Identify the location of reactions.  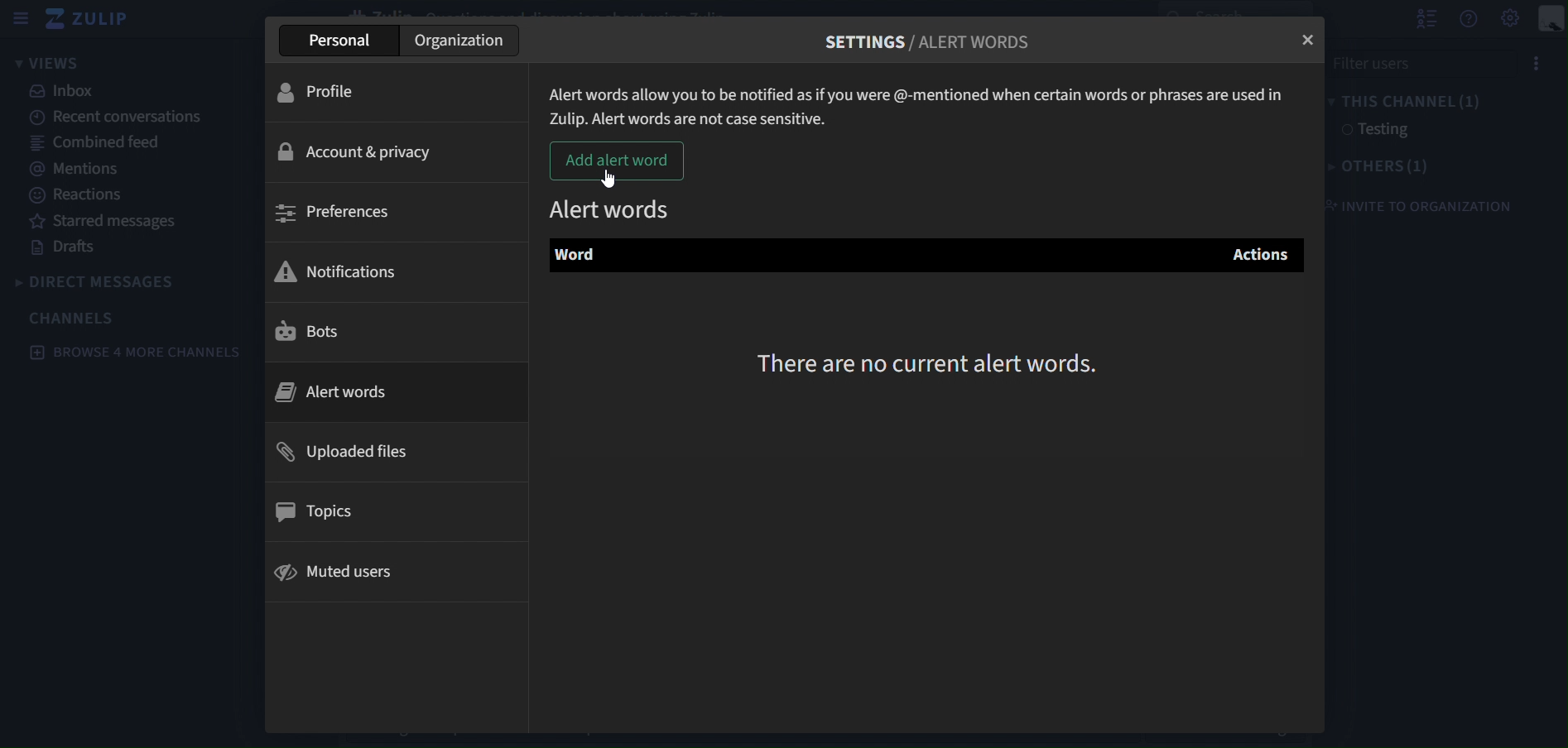
(78, 194).